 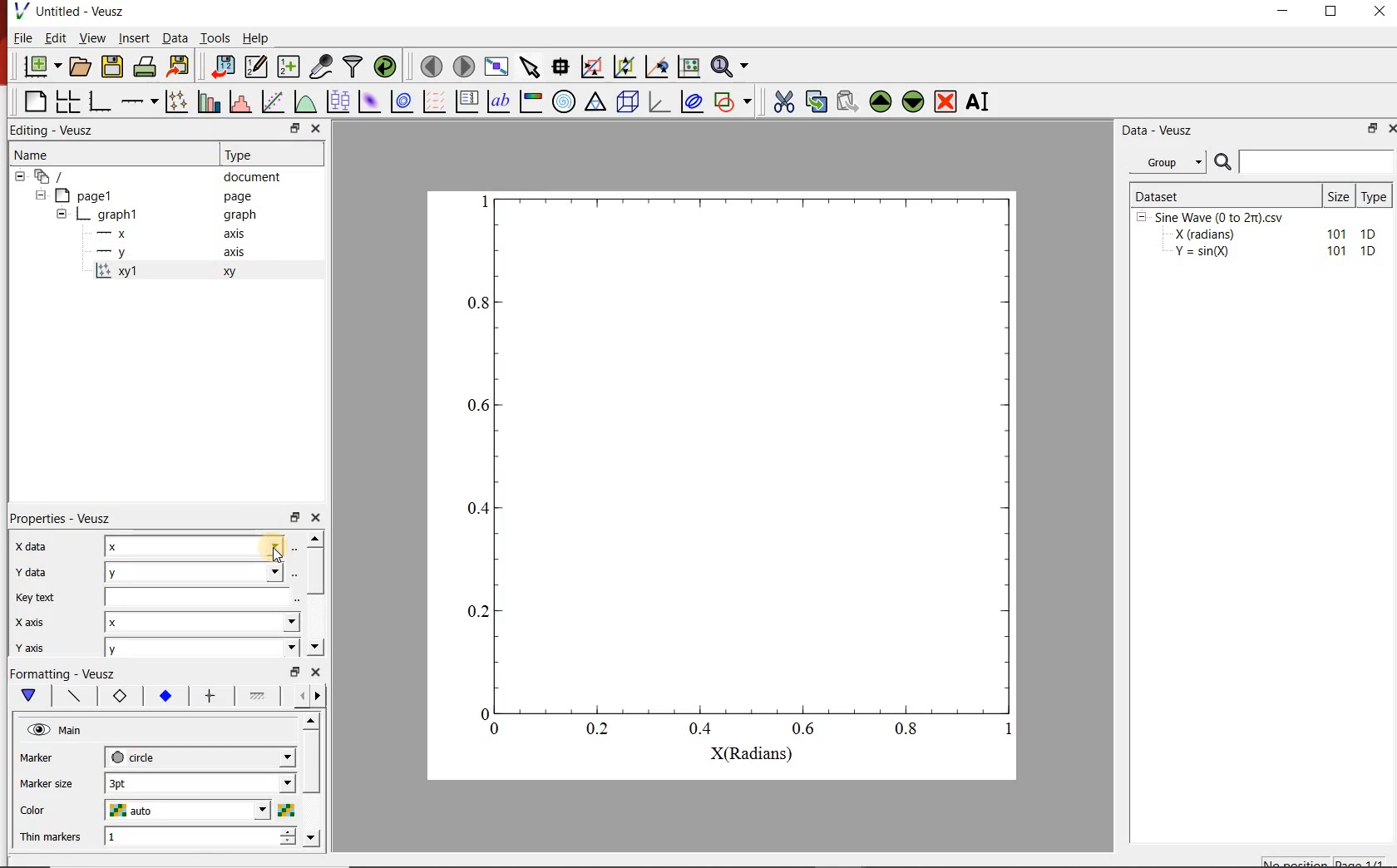 I want to click on copy, so click(x=816, y=100).